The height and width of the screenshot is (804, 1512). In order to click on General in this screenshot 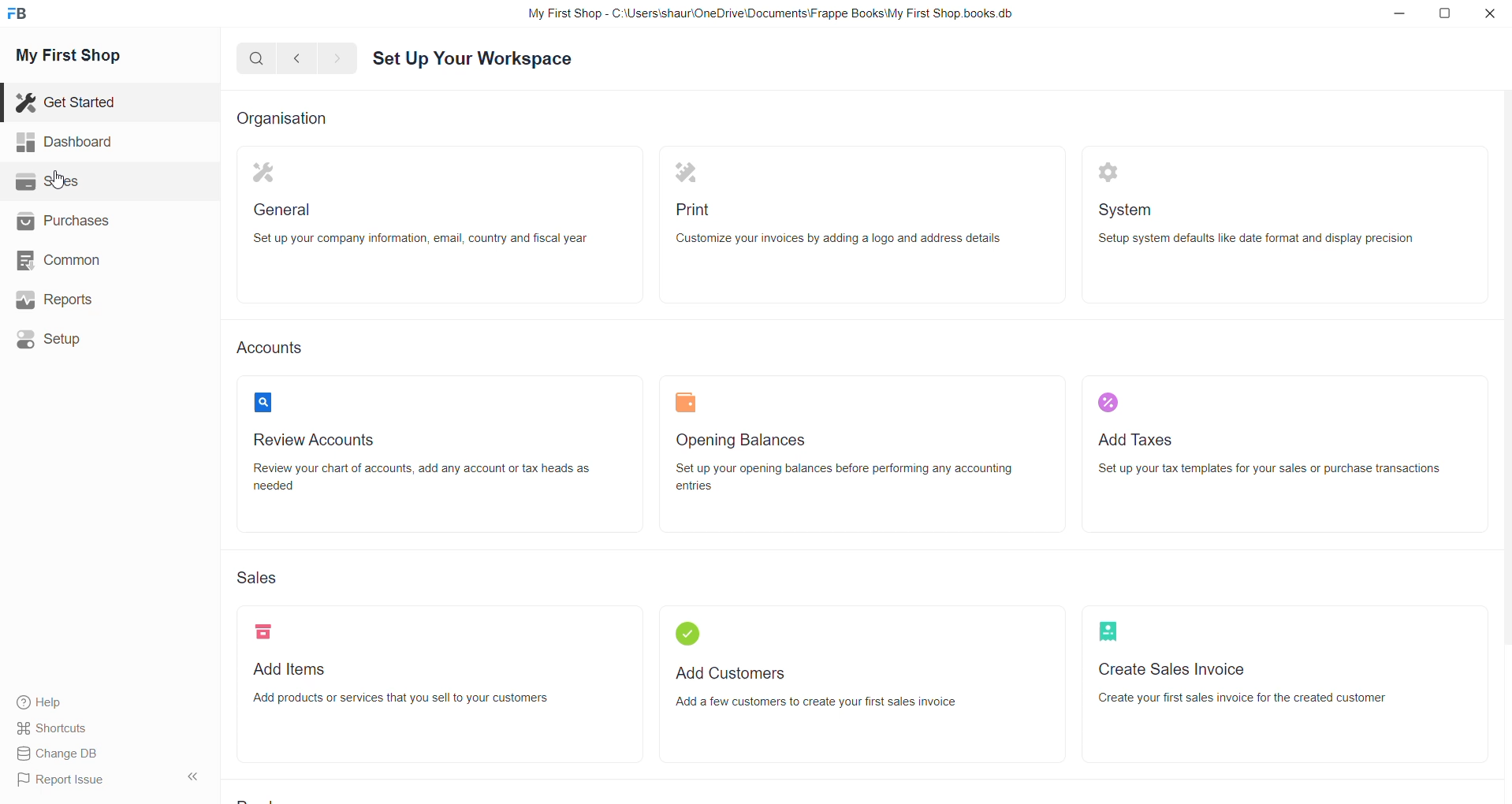, I will do `click(440, 225)`.